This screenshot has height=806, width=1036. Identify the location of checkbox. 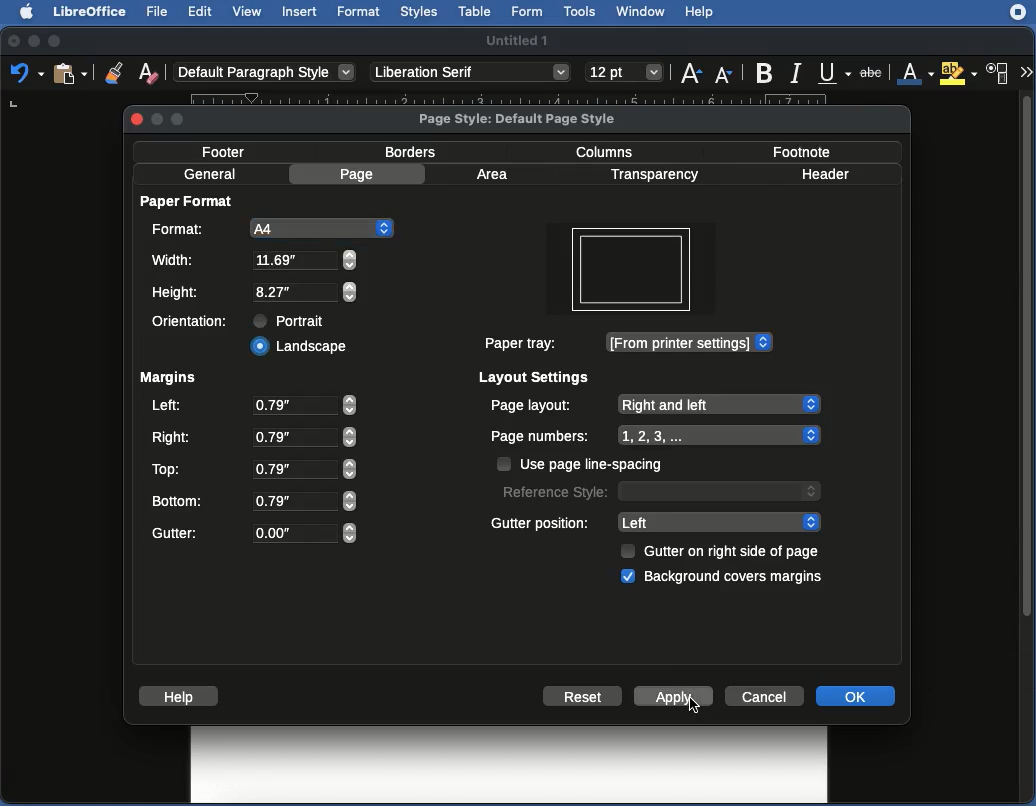
(628, 576).